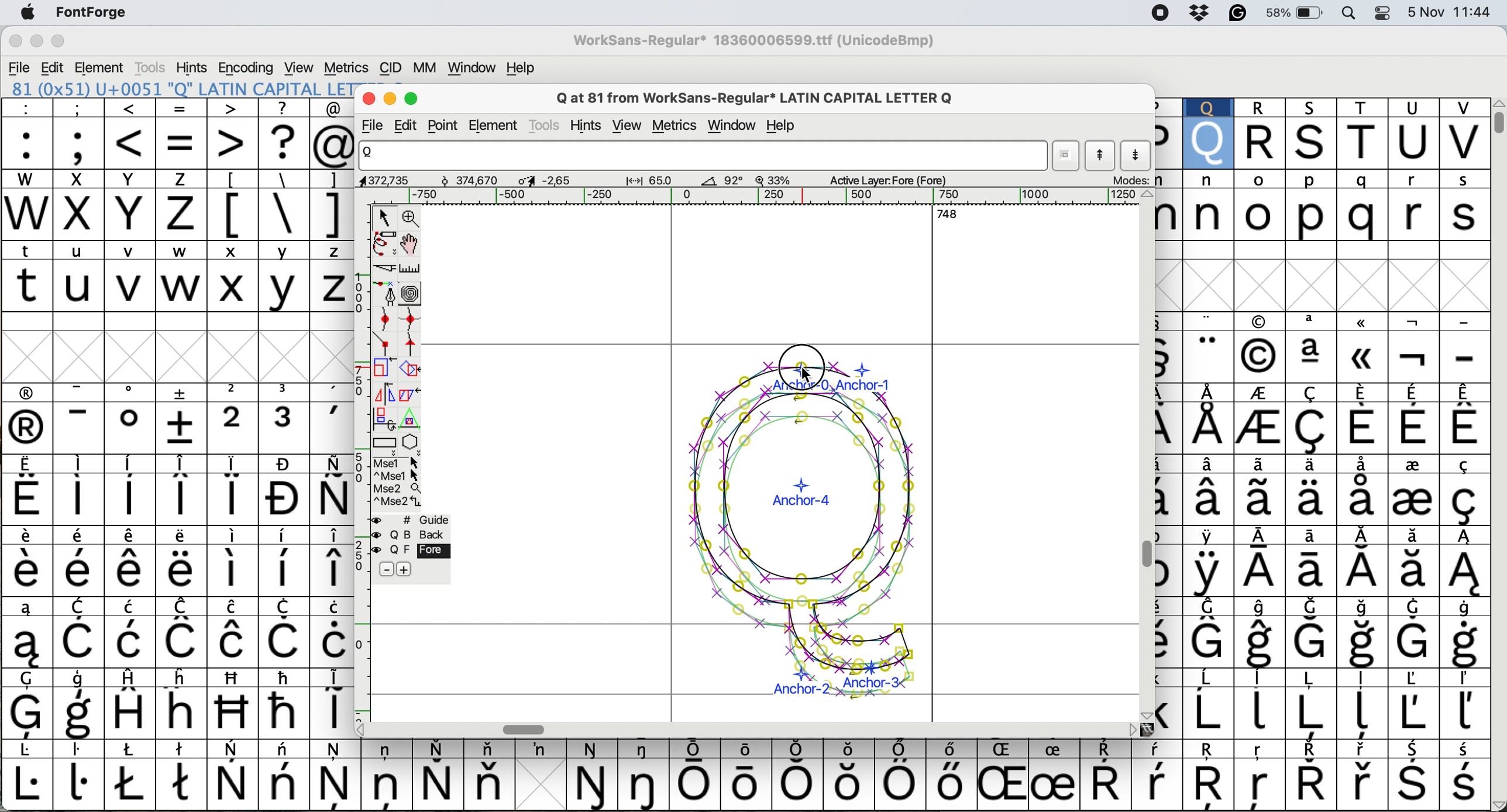  Describe the element at coordinates (384, 394) in the screenshot. I see `flip the selection` at that location.